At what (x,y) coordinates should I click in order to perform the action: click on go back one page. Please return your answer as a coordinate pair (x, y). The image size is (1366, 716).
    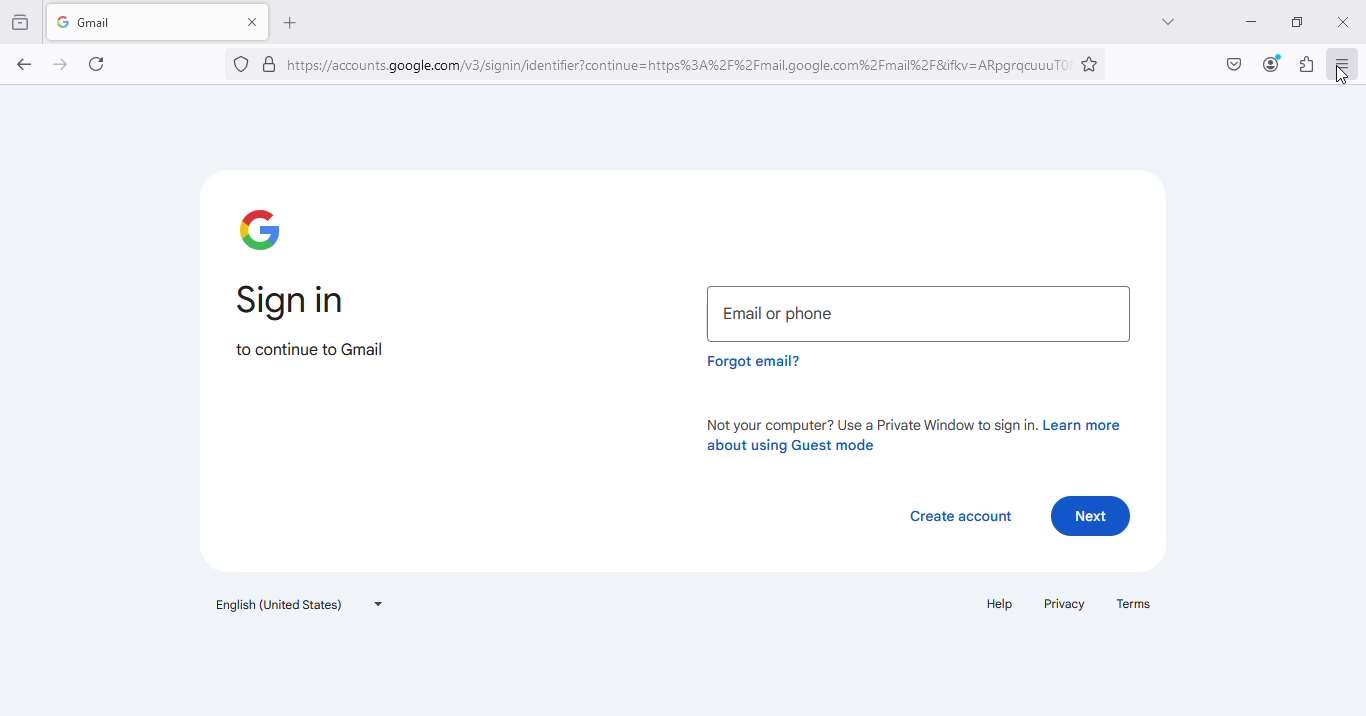
    Looking at the image, I should click on (25, 64).